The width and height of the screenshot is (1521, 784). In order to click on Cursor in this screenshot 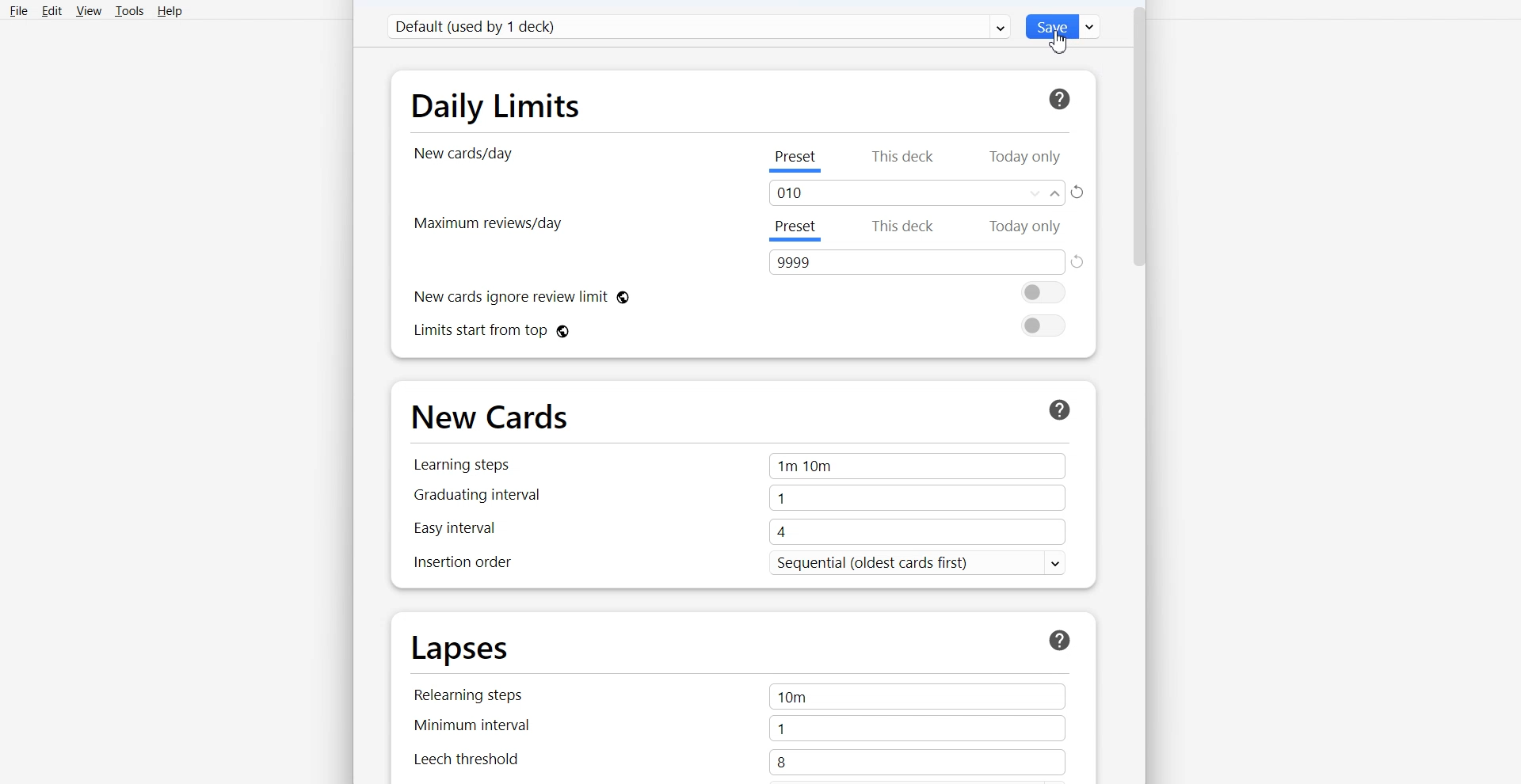, I will do `click(1059, 41)`.